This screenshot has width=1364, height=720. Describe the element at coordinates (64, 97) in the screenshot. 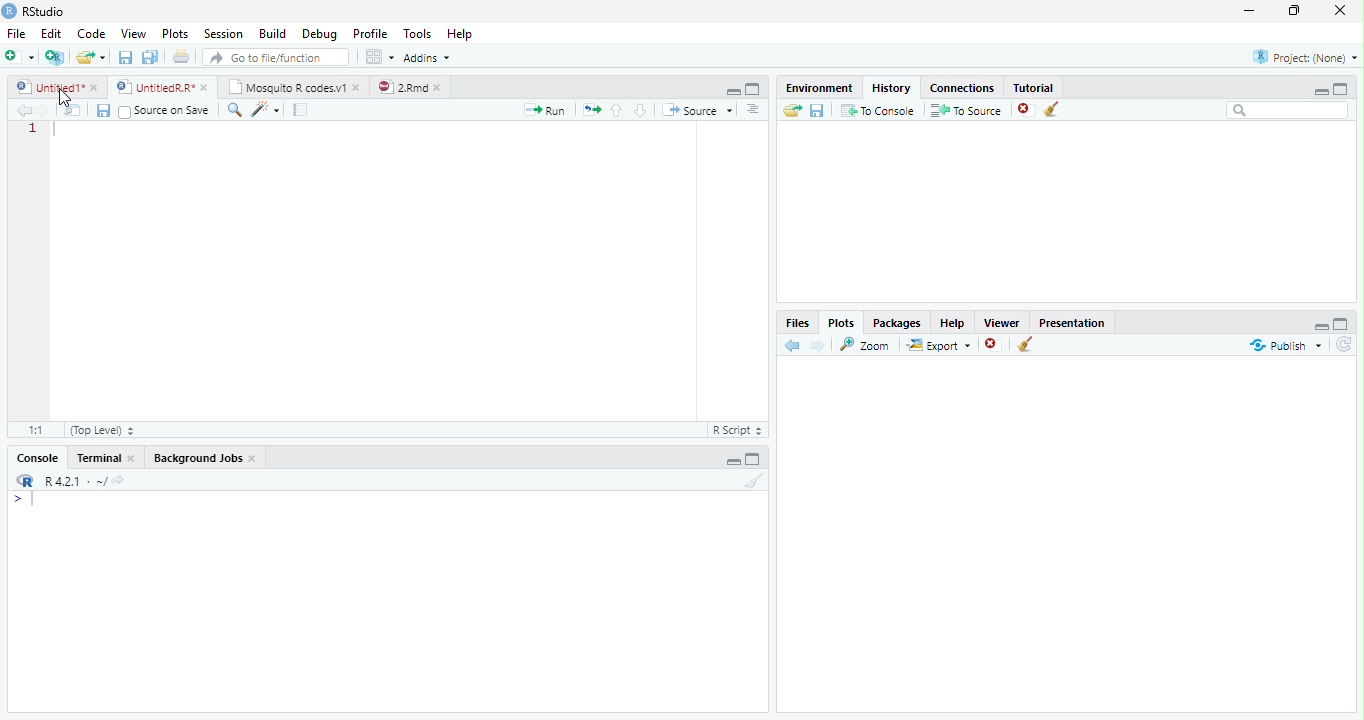

I see `Mouse Cursor` at that location.